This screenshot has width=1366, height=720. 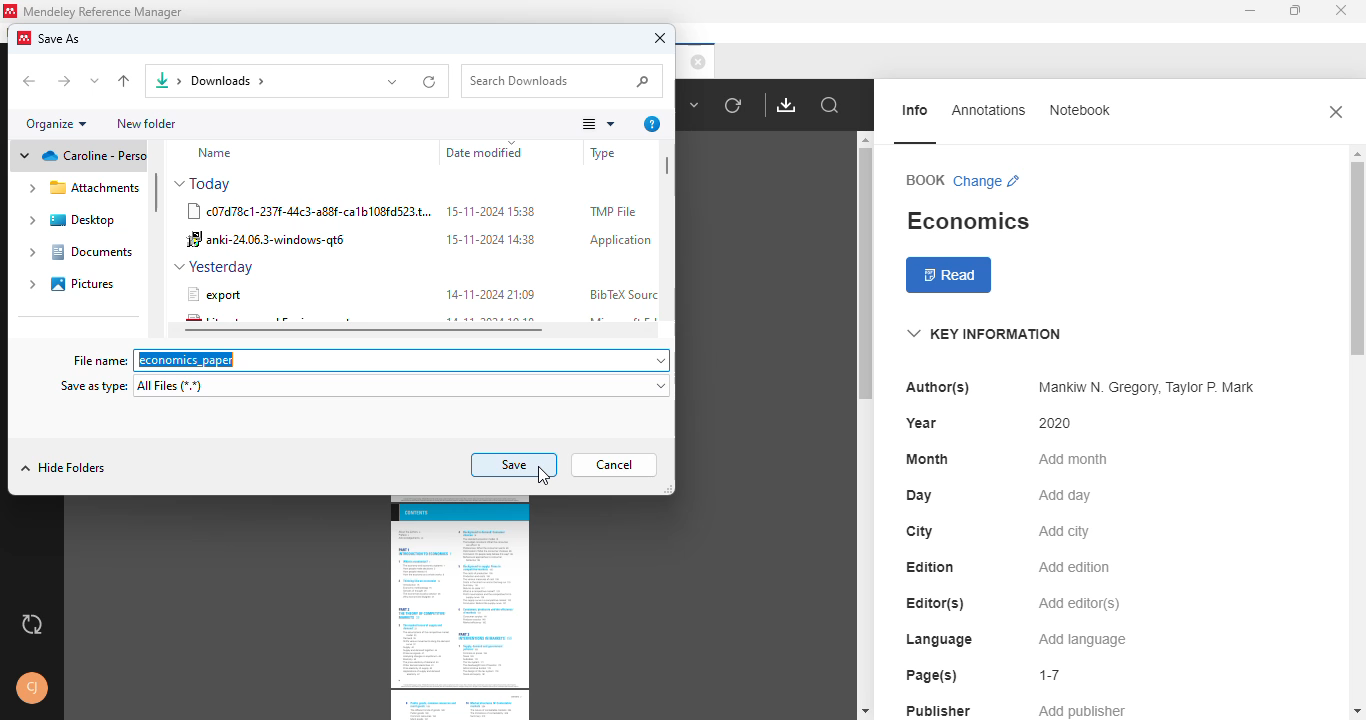 I want to click on info, so click(x=917, y=110).